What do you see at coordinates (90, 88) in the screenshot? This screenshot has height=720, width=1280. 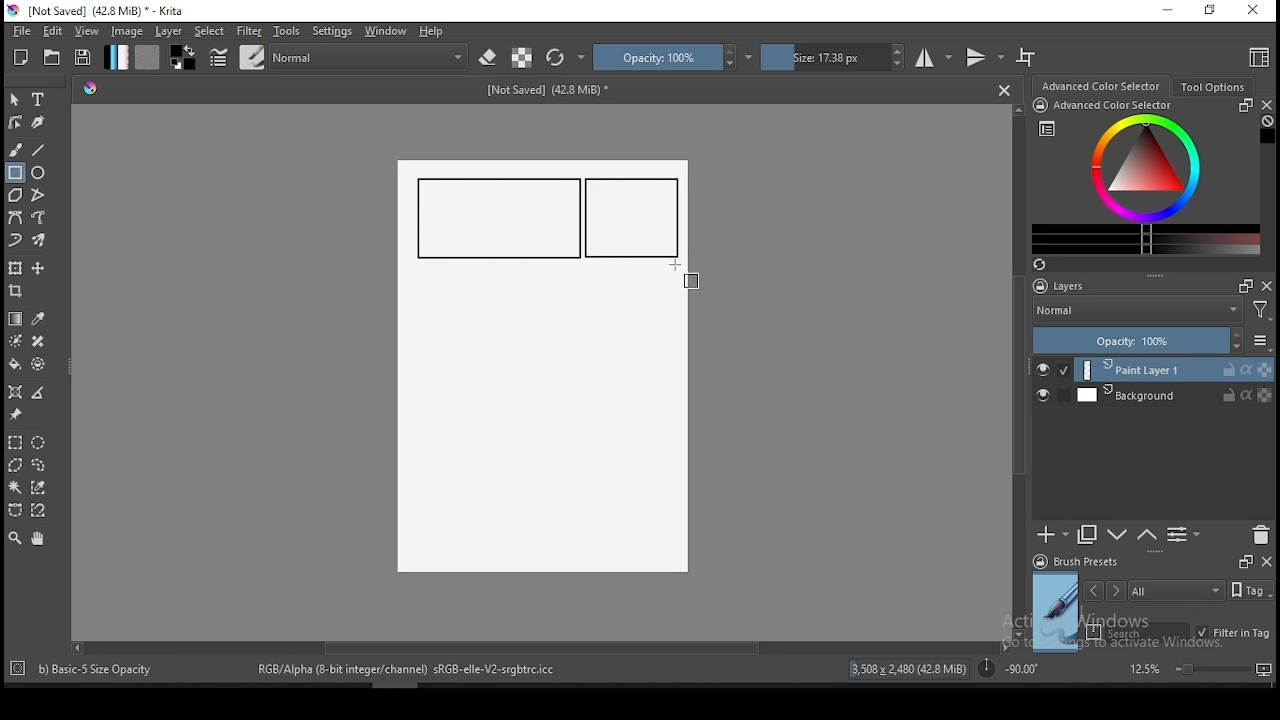 I see `Hue` at bounding box center [90, 88].